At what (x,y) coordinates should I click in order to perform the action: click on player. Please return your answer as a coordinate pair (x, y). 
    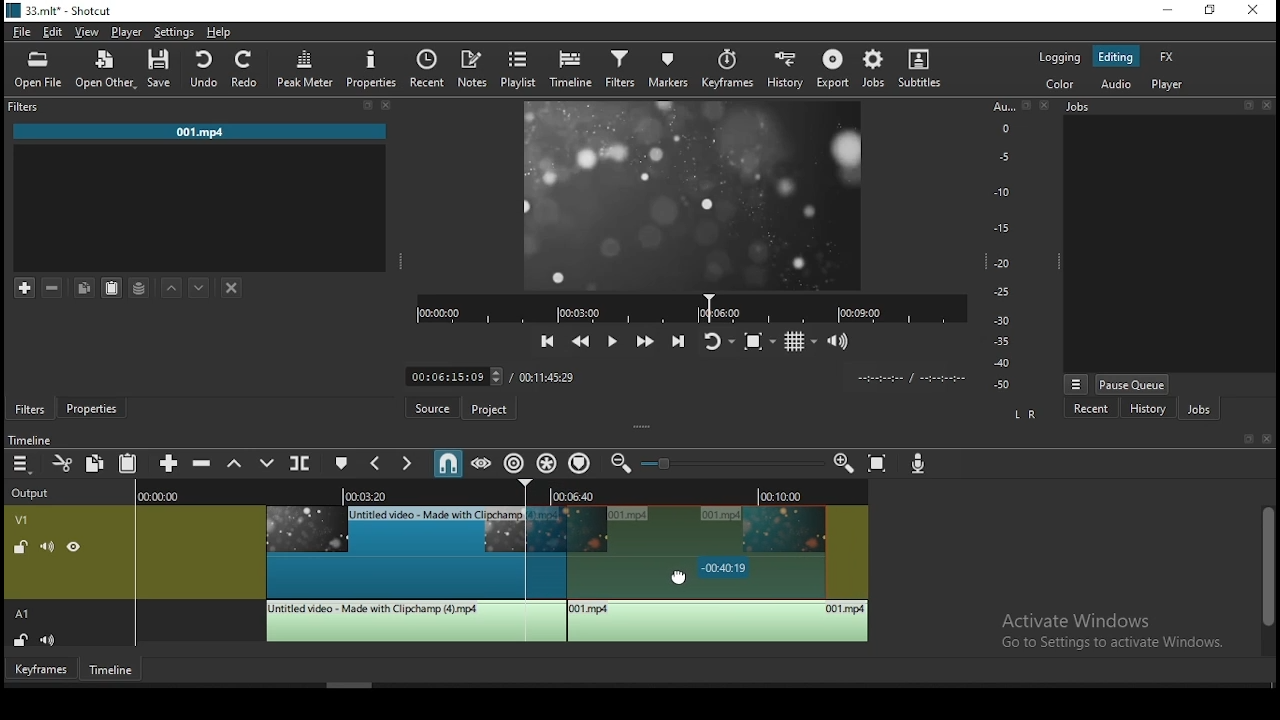
    Looking at the image, I should click on (126, 32).